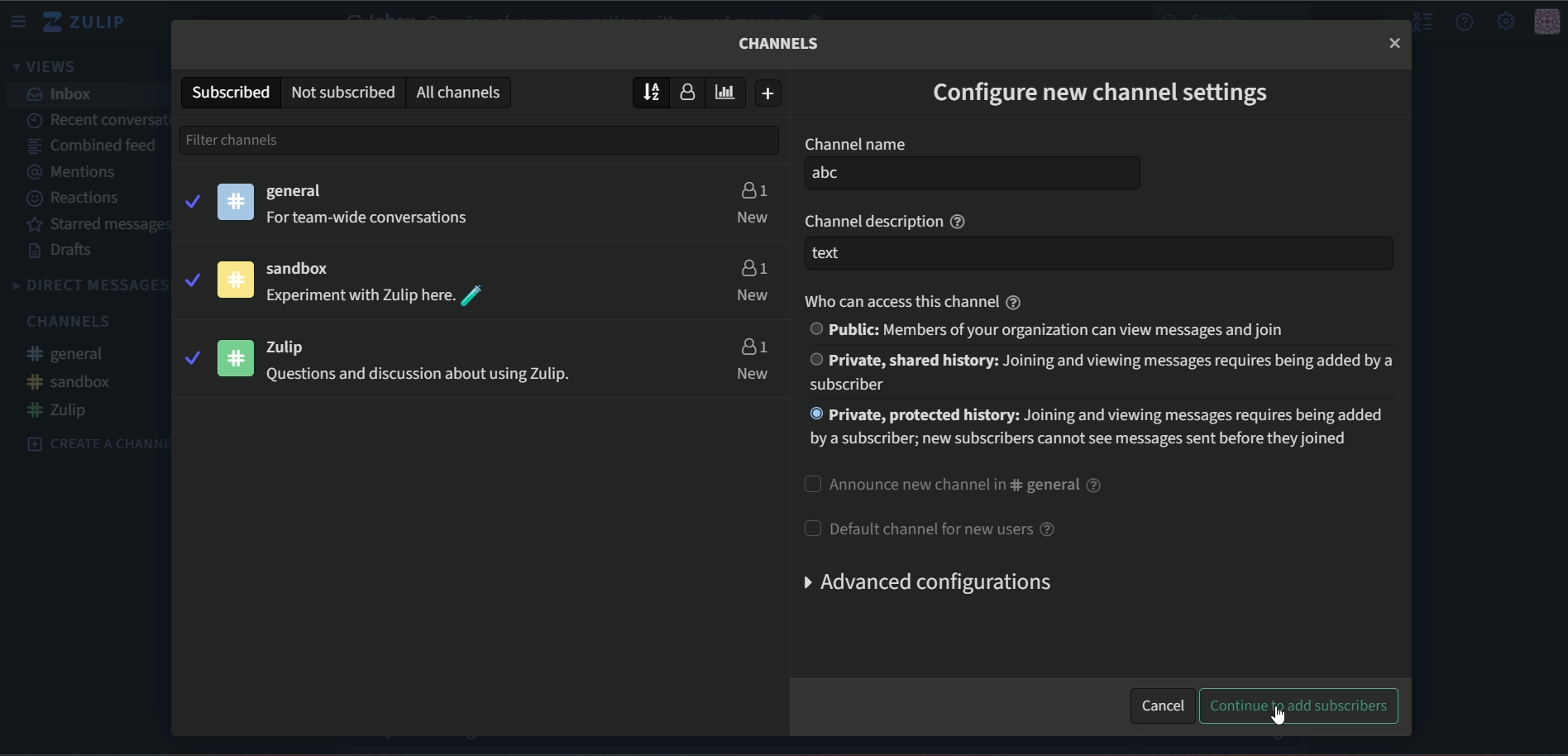  Describe the element at coordinates (73, 321) in the screenshot. I see `channels` at that location.